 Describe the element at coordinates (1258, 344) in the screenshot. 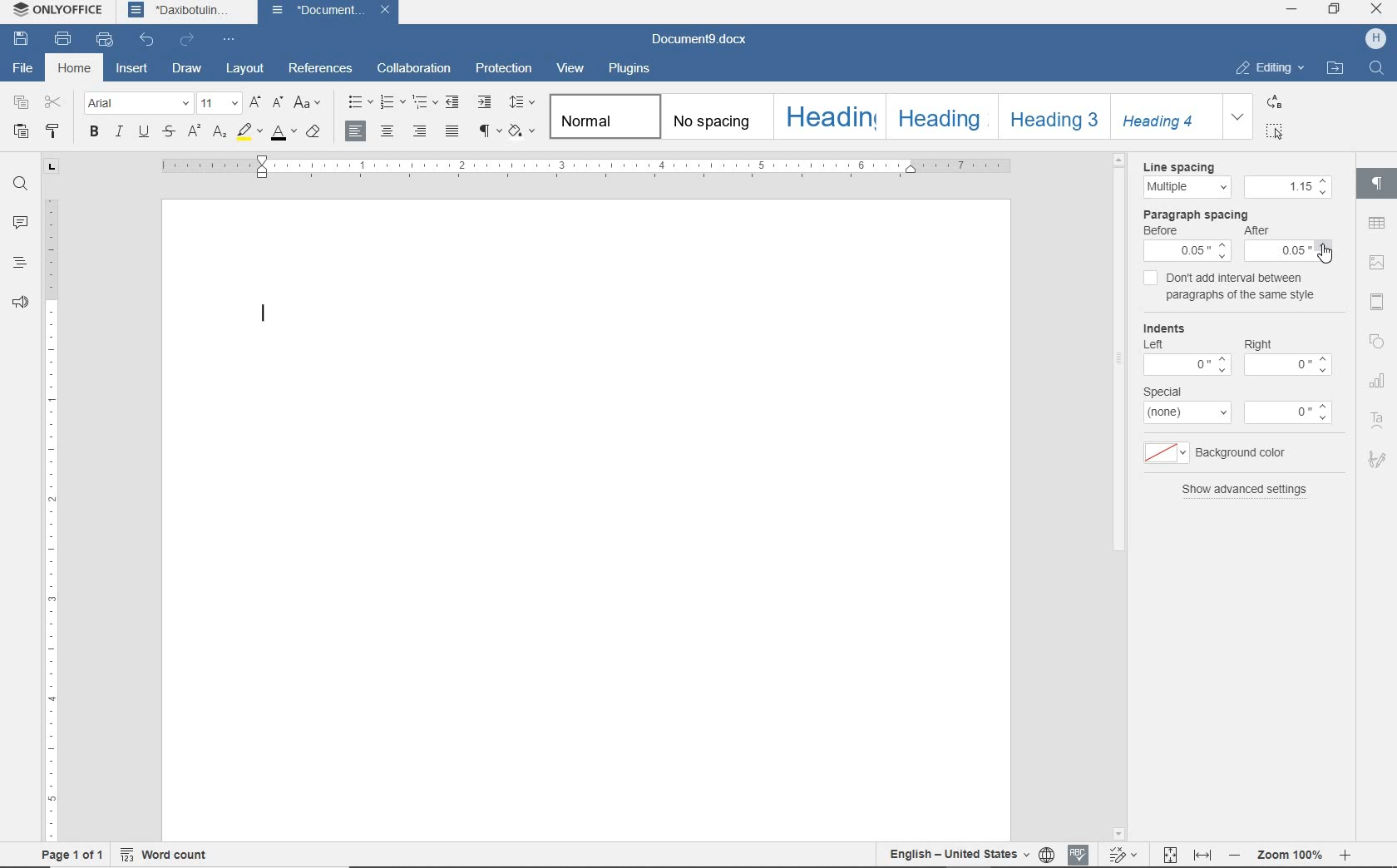

I see `right` at that location.